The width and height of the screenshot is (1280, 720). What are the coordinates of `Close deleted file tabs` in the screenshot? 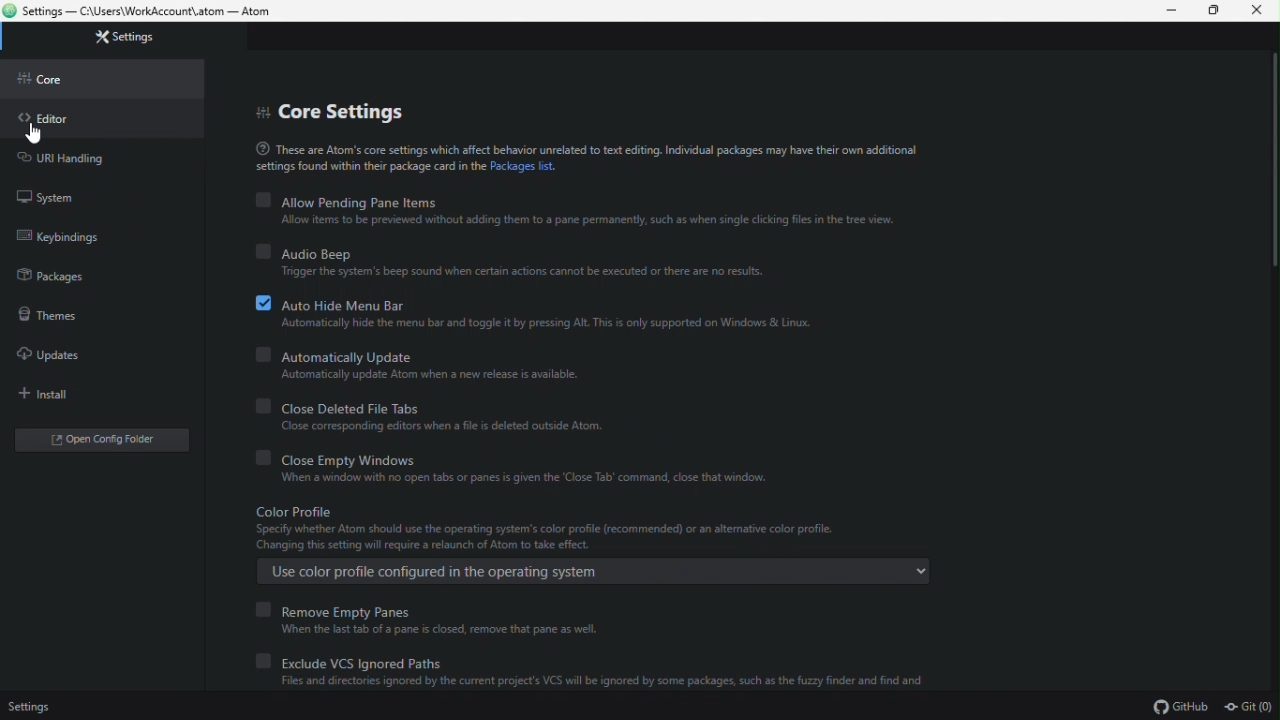 It's located at (443, 405).